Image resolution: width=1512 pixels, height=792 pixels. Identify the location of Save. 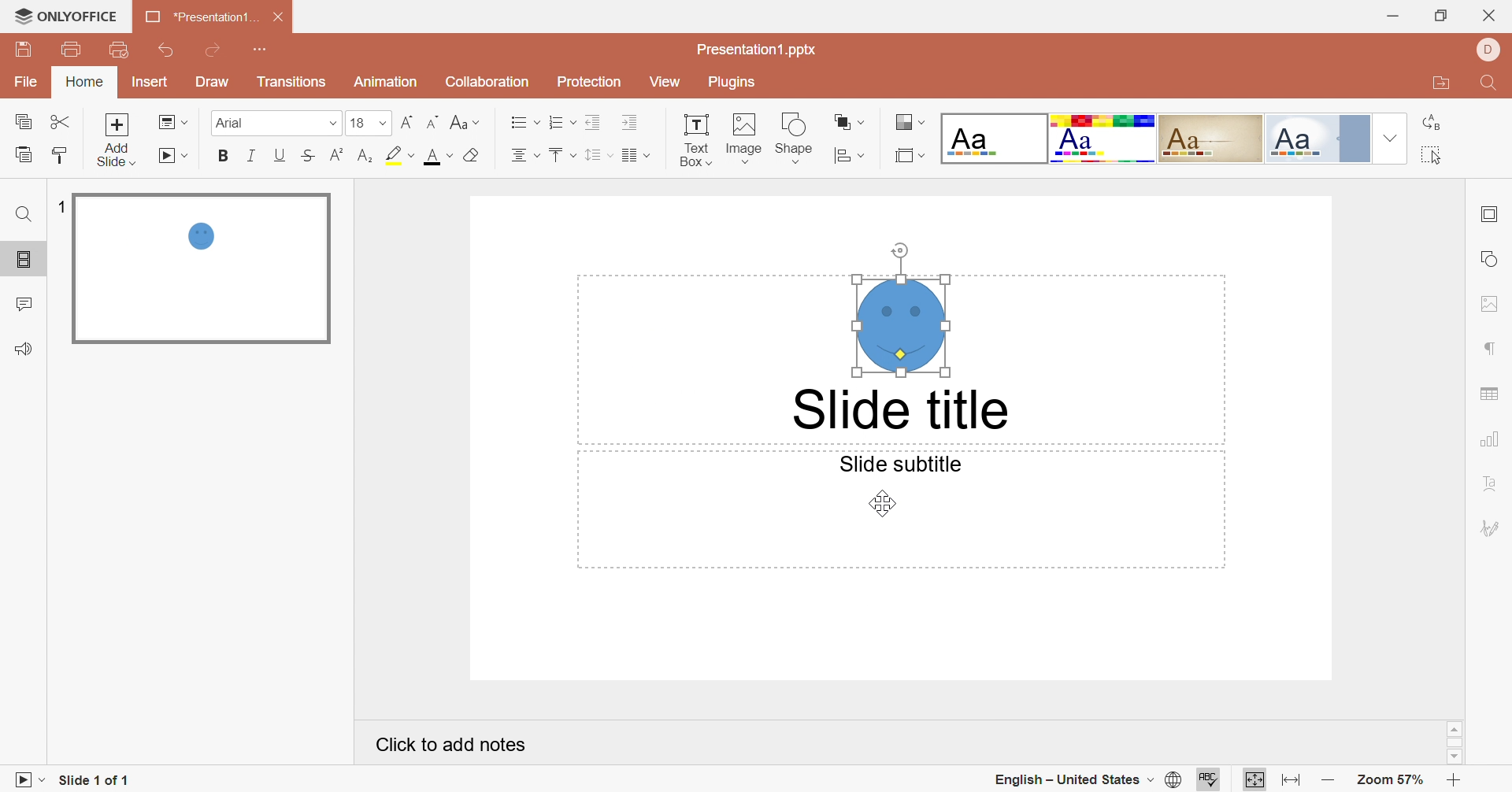
(22, 50).